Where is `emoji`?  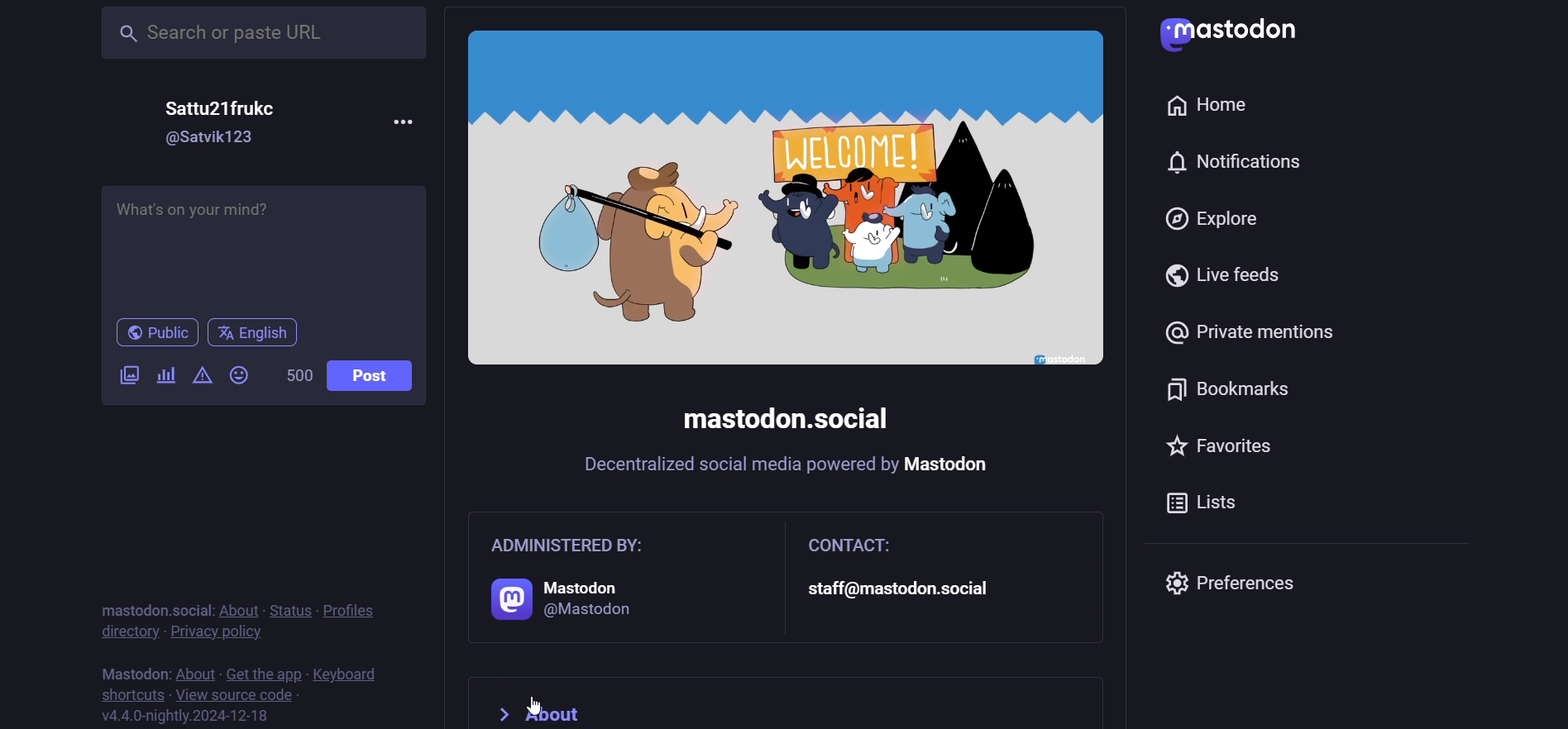
emoji is located at coordinates (242, 374).